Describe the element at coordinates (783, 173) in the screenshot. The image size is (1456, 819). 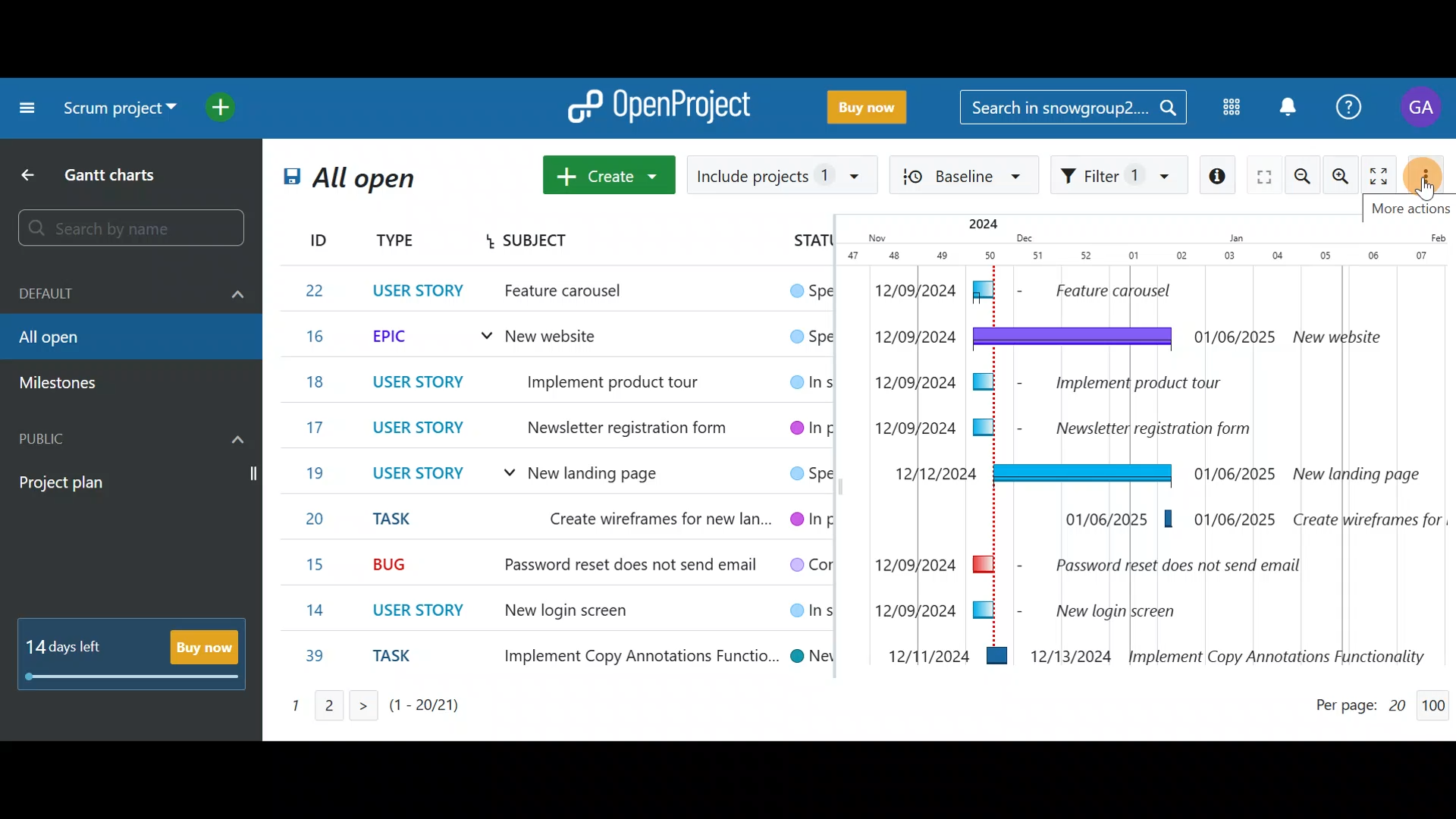
I see `Include projects` at that location.